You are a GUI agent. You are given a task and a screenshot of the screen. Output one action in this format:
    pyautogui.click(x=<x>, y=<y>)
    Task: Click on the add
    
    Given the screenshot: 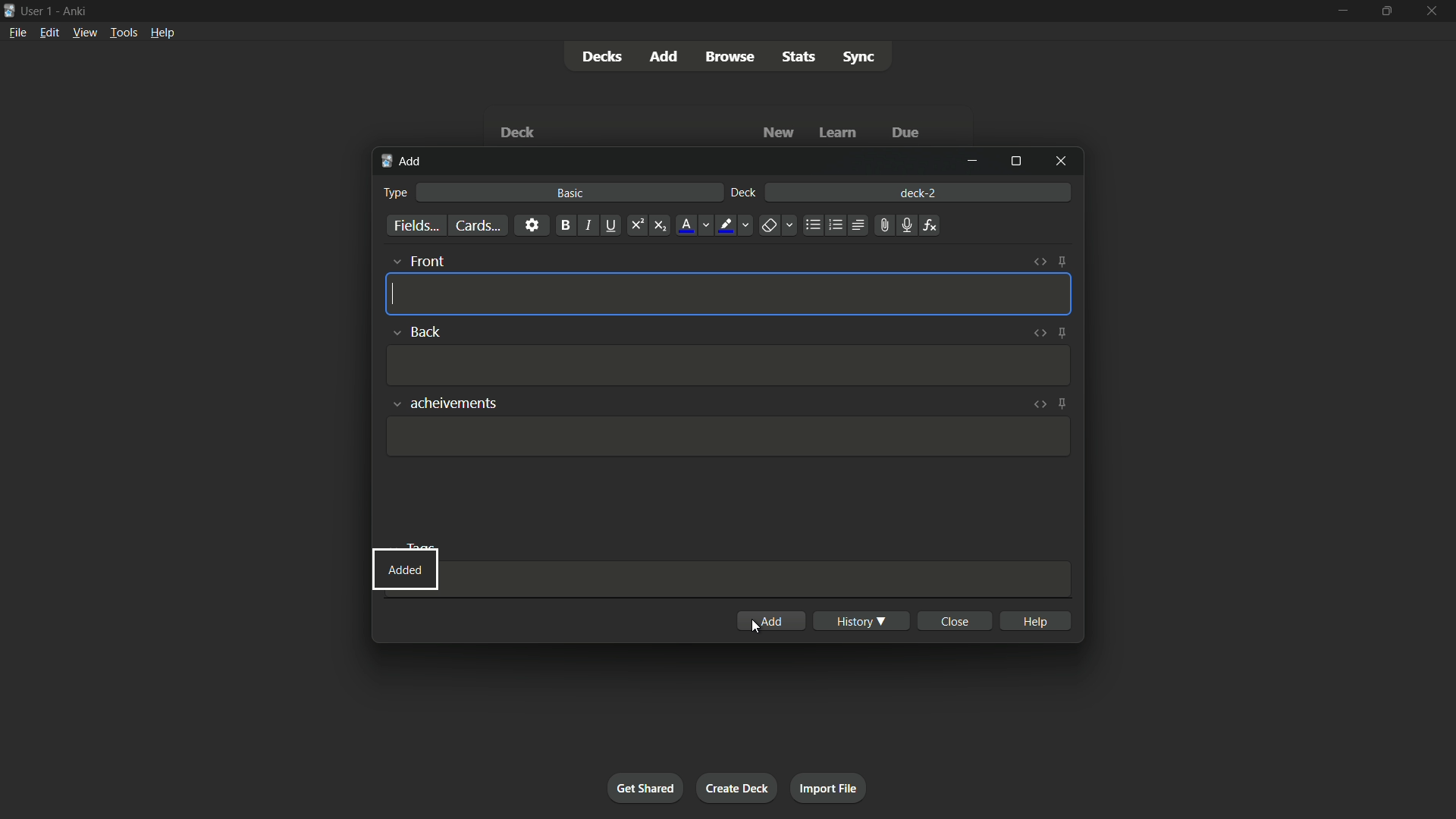 What is the action you would take?
    pyautogui.click(x=771, y=620)
    